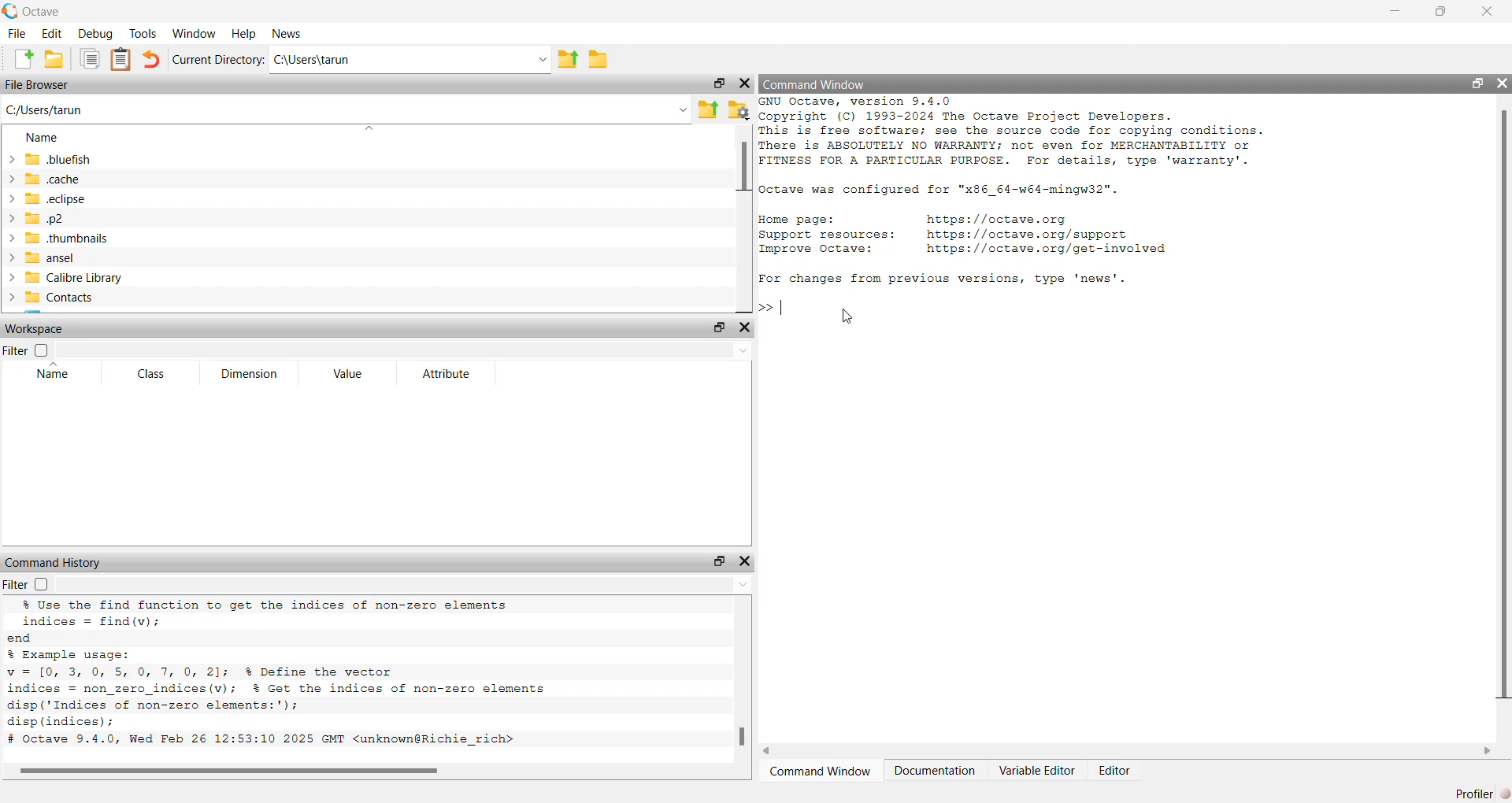 Image resolution: width=1512 pixels, height=803 pixels. What do you see at coordinates (1036, 194) in the screenshot?
I see `GNU Octave, version 9.4.0

Copyright (C) 1993-2024 The Octave Project Developers.

This is free software; see the source code for copying conditions.
There is ABSOLUTELY NO WARRANTY; not even for MERCHANTABILITY or
FITNESS FOR A PARTICULAR PURPOSE. For details, type 'warranty'.
Octave was configured for "x86_64-w64-mingw32".

Home page: https://octave.org

Support resources: https: //octave.org/support

Improve Octave: https://octave.org/get-involved

For changes from previous versions, type 'news'.` at bounding box center [1036, 194].